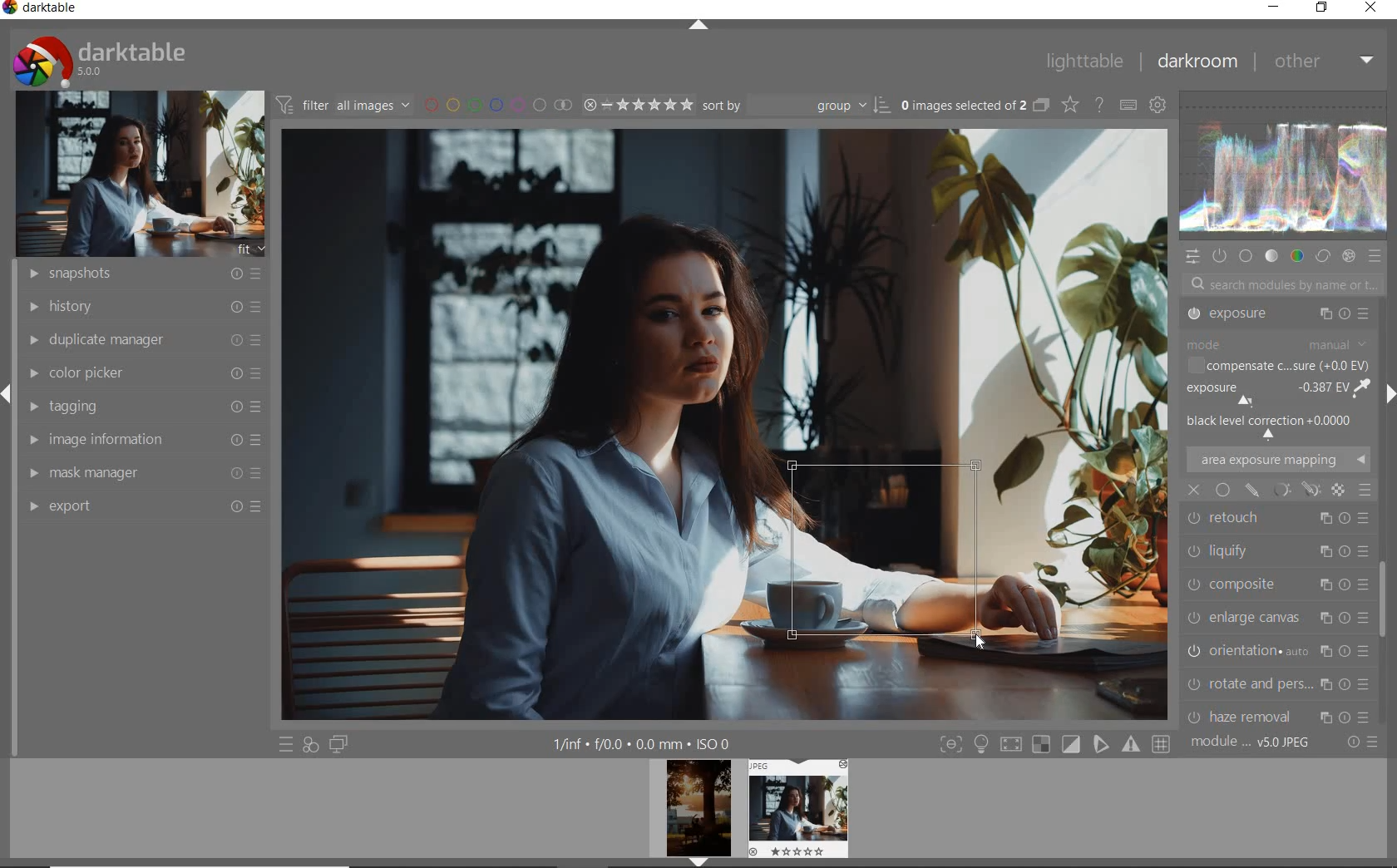 The width and height of the screenshot is (1397, 868). What do you see at coordinates (1195, 490) in the screenshot?
I see `close` at bounding box center [1195, 490].